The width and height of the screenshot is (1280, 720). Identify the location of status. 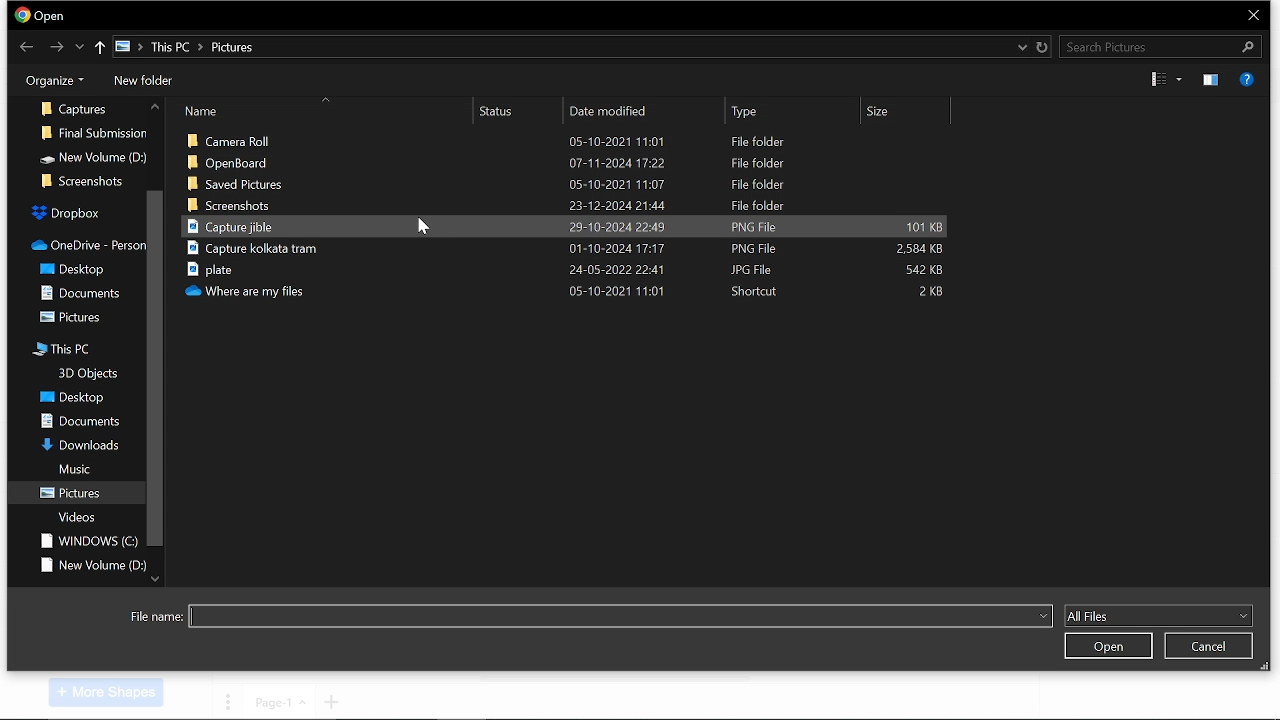
(522, 112).